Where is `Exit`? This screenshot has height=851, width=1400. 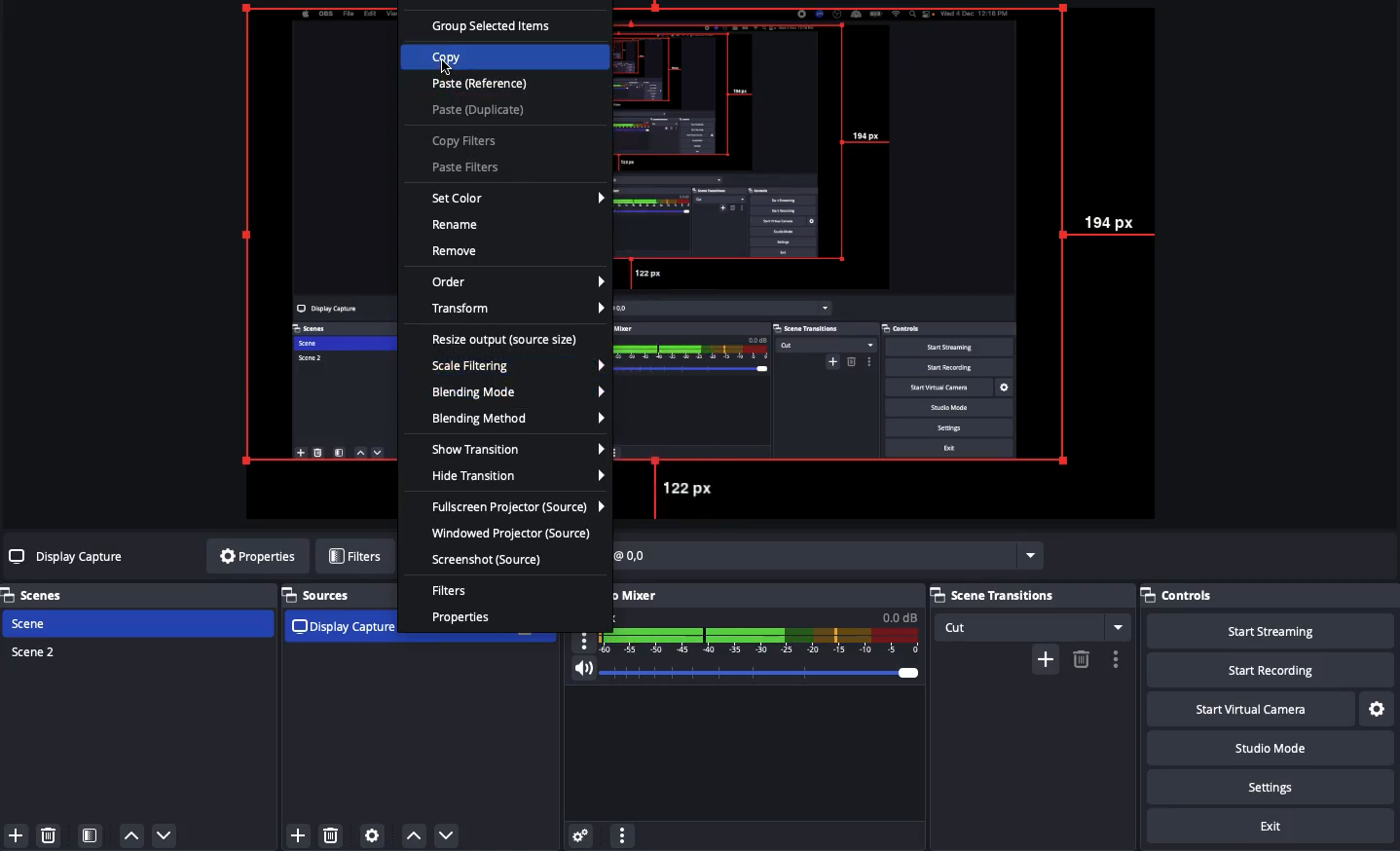 Exit is located at coordinates (1271, 824).